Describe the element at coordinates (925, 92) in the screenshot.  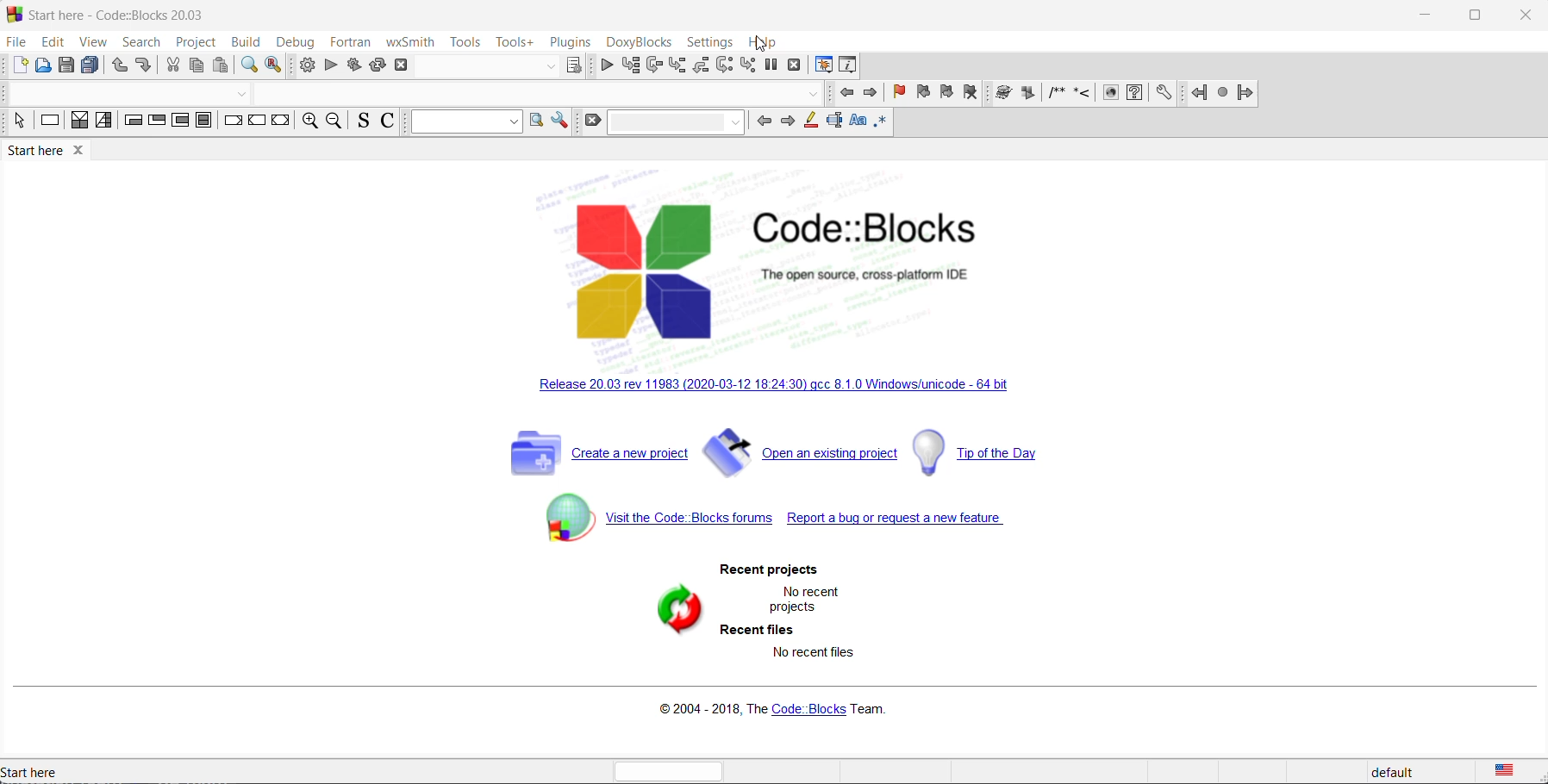
I see `previous bookmark` at that location.